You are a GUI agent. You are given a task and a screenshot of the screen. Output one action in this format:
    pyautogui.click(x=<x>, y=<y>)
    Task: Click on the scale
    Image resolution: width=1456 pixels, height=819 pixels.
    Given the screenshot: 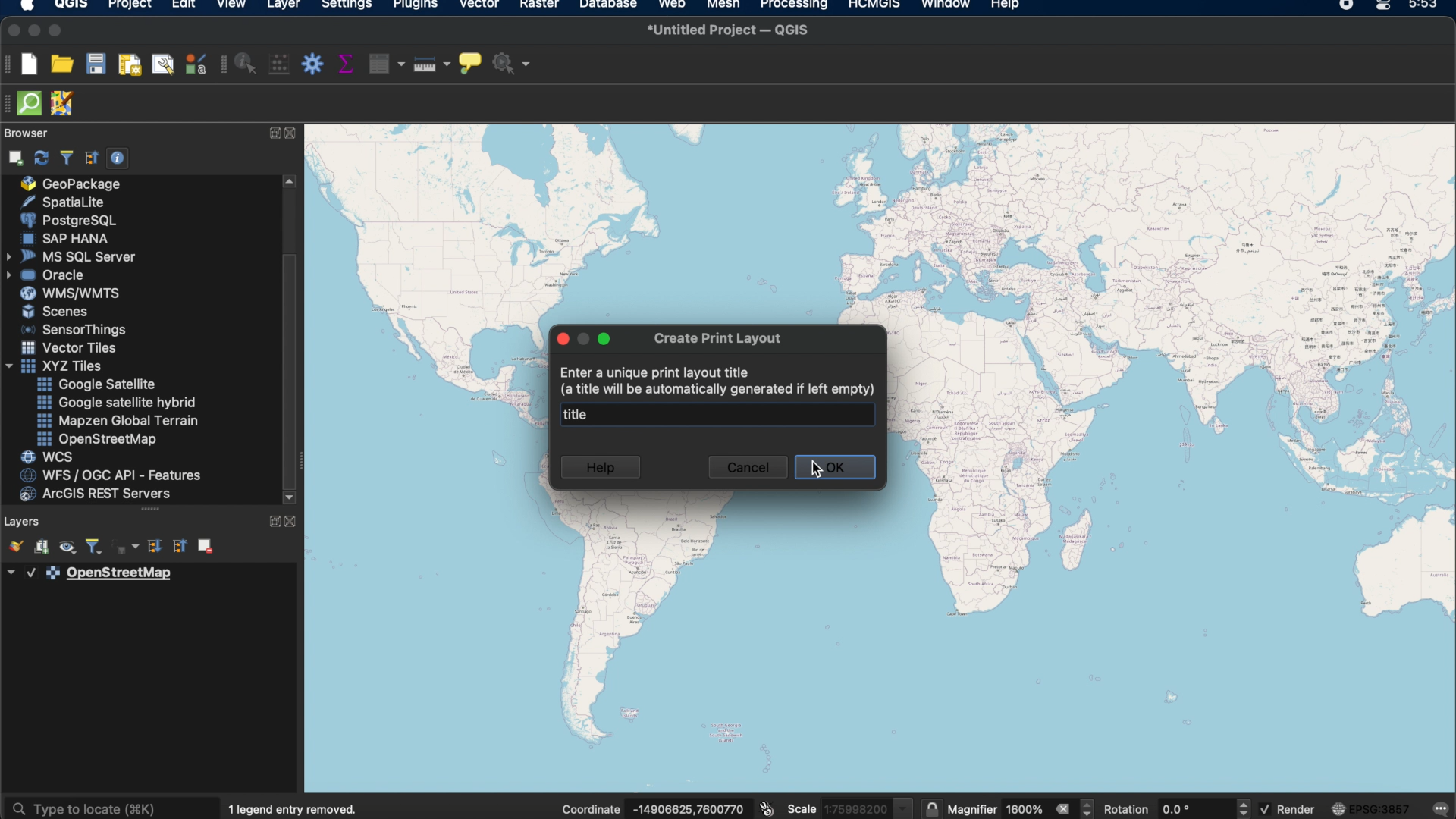 What is the action you would take?
    pyautogui.click(x=852, y=806)
    